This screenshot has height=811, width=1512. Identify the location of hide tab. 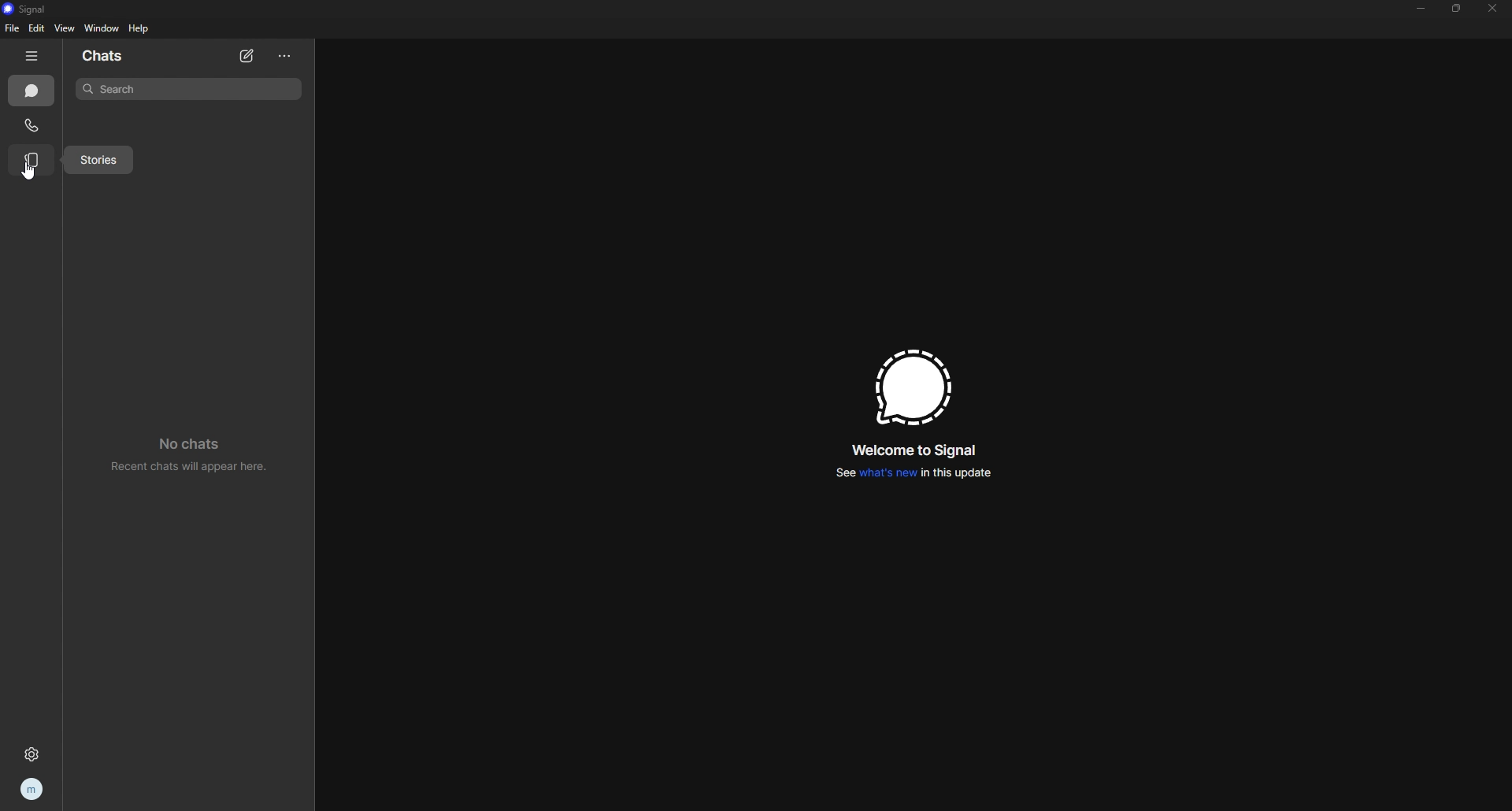
(31, 56).